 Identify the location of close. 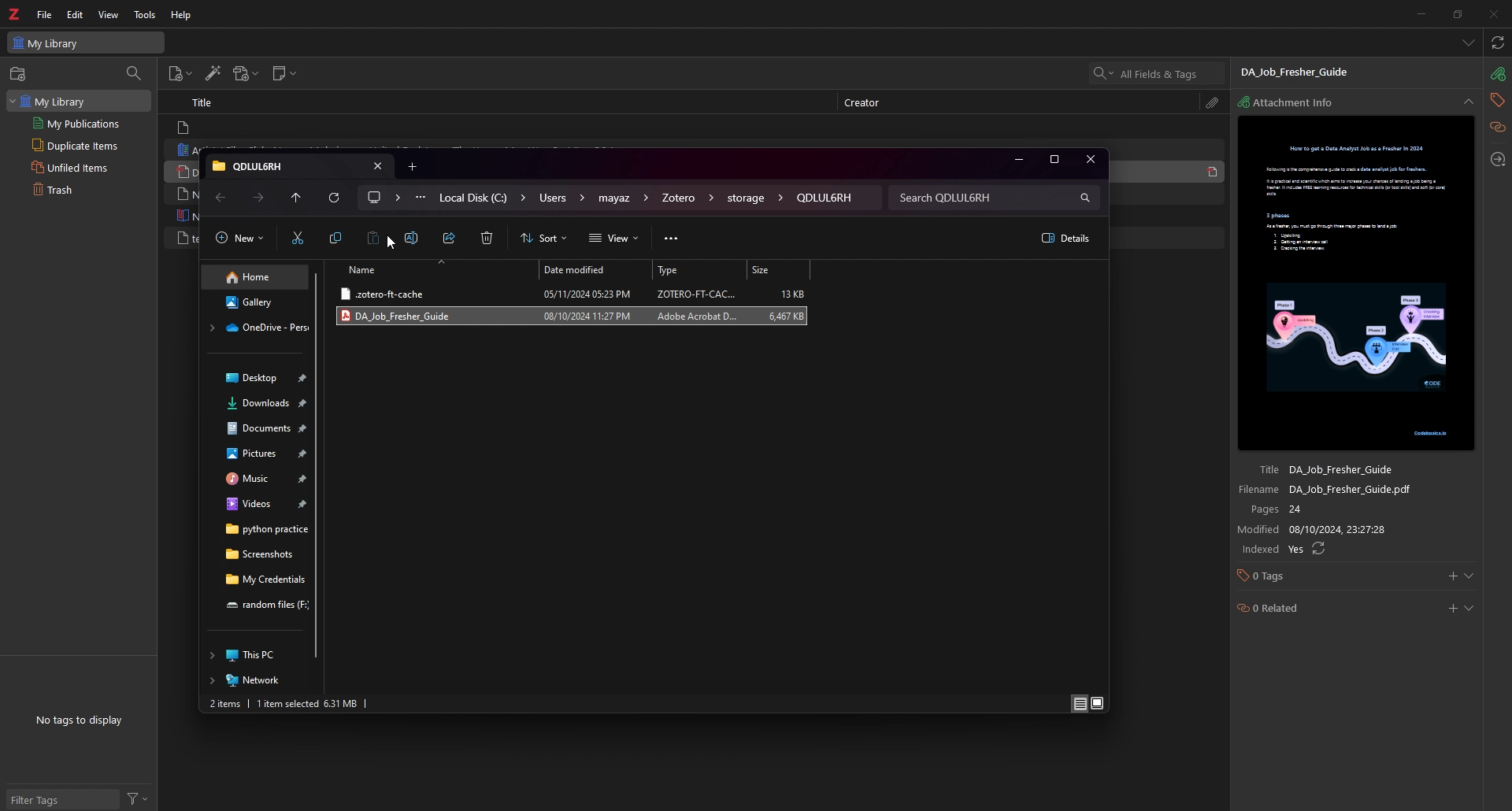
(1493, 14).